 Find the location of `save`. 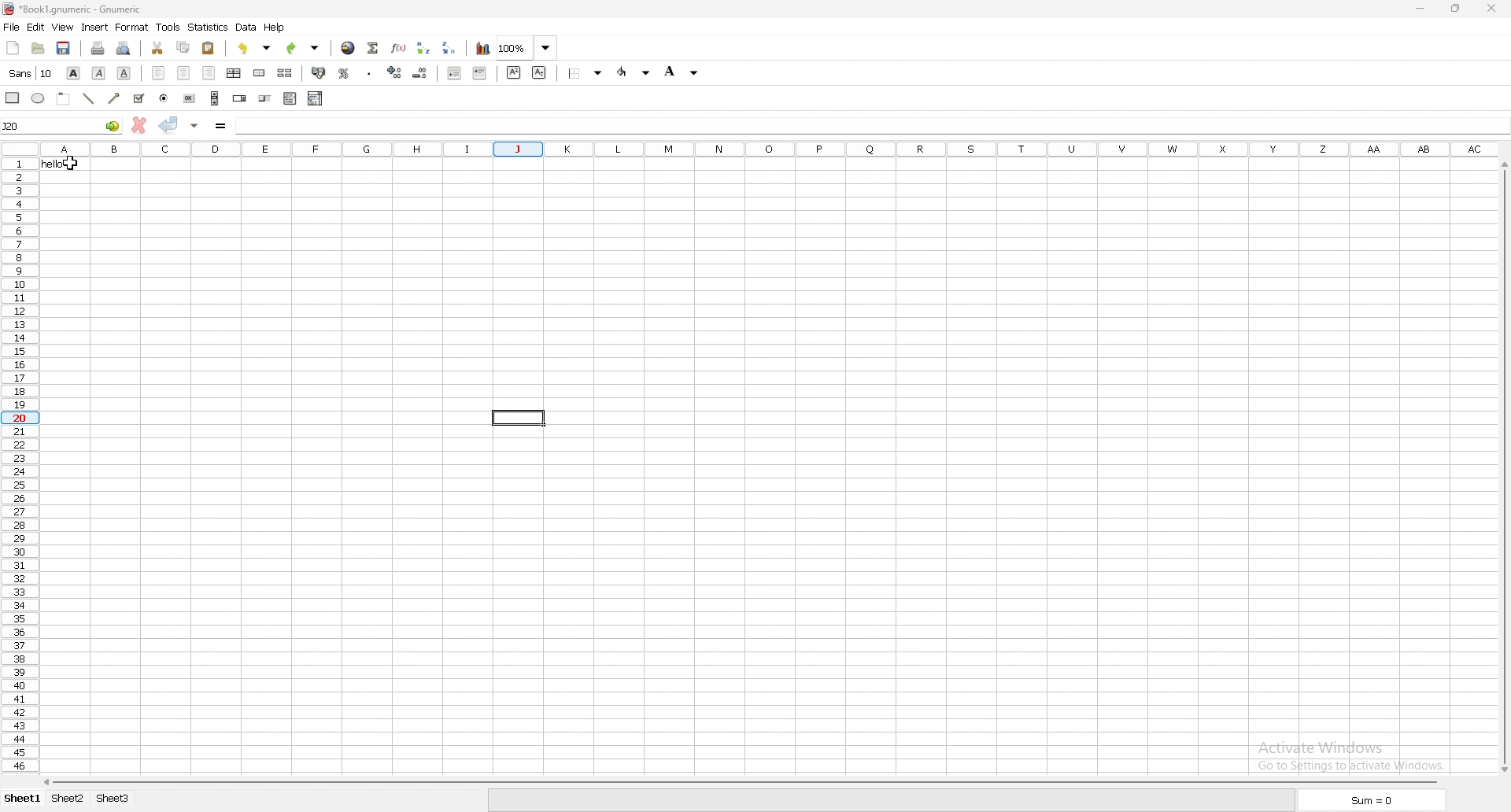

save is located at coordinates (63, 47).